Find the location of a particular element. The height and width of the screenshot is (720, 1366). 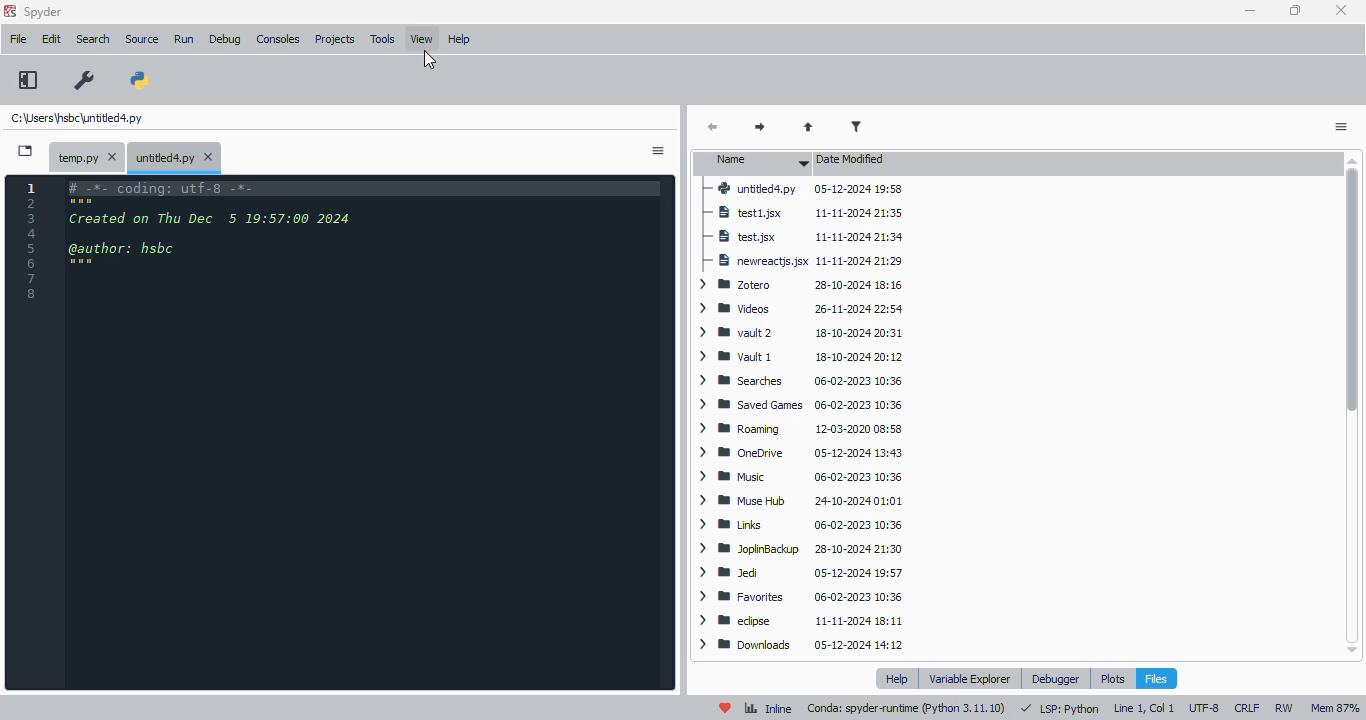

help is located at coordinates (459, 39).